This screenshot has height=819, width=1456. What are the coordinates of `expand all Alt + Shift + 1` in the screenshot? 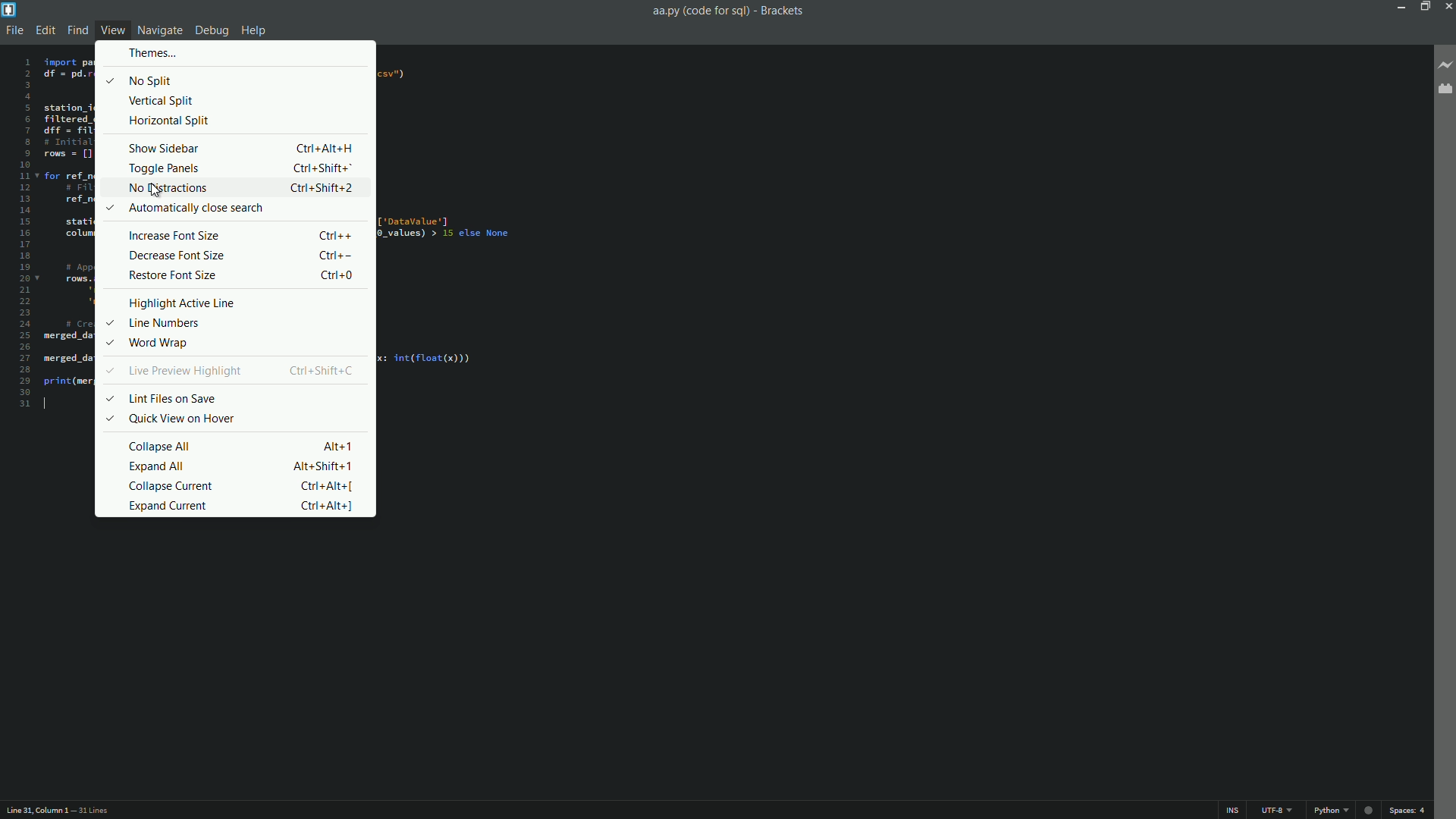 It's located at (246, 466).